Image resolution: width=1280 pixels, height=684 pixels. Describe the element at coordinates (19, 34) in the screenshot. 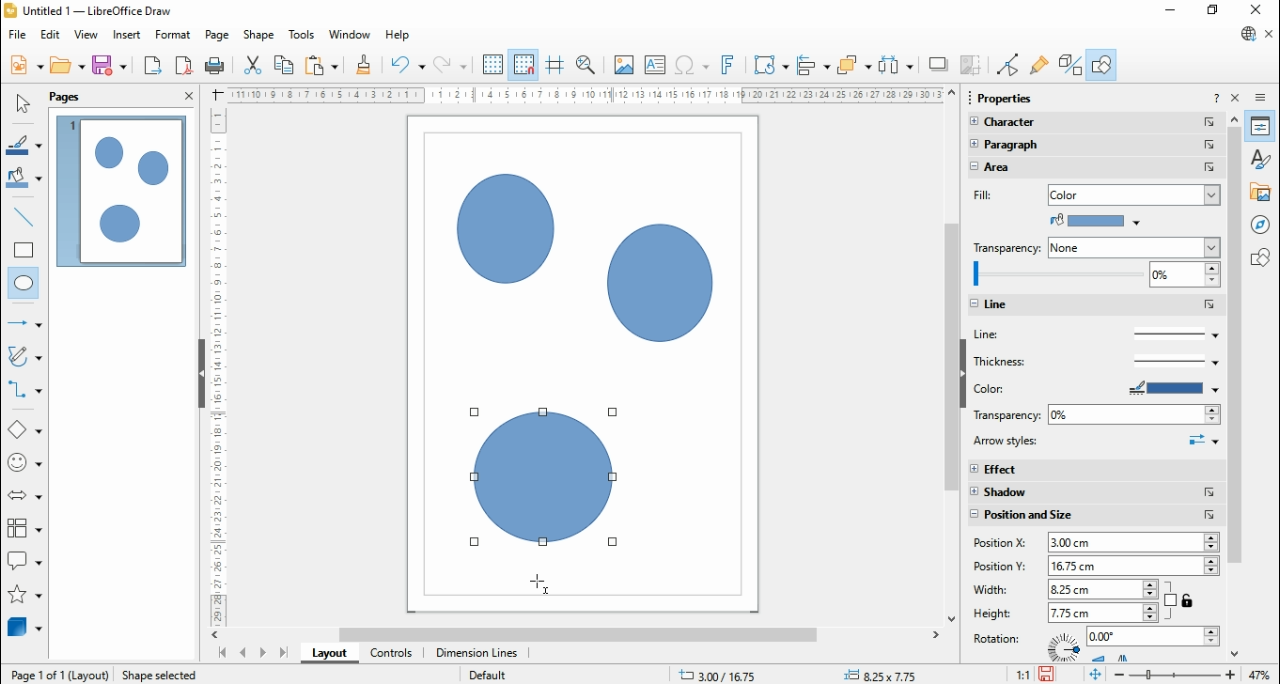

I see `file` at that location.